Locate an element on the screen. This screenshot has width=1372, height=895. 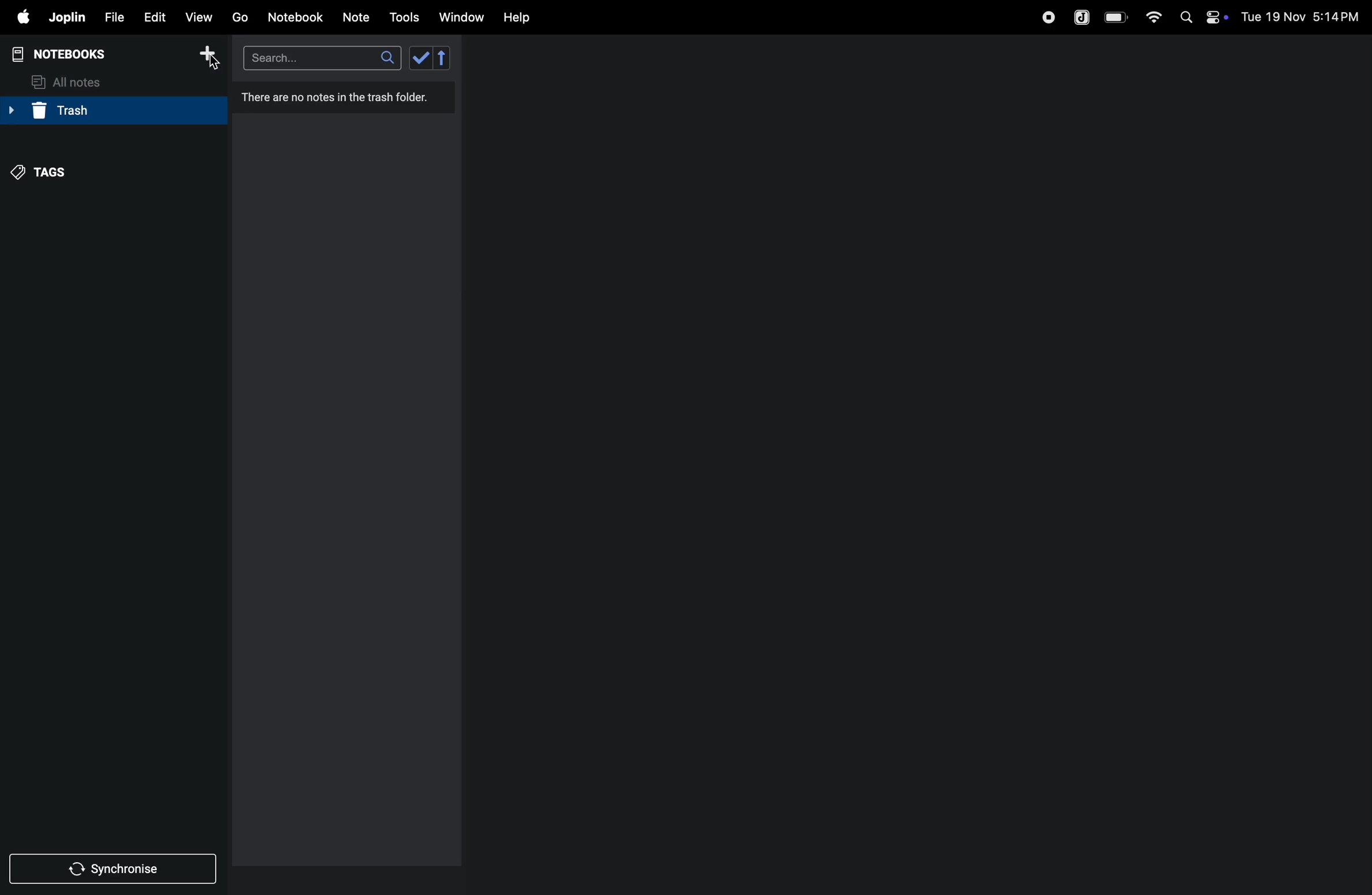
file is located at coordinates (110, 16).